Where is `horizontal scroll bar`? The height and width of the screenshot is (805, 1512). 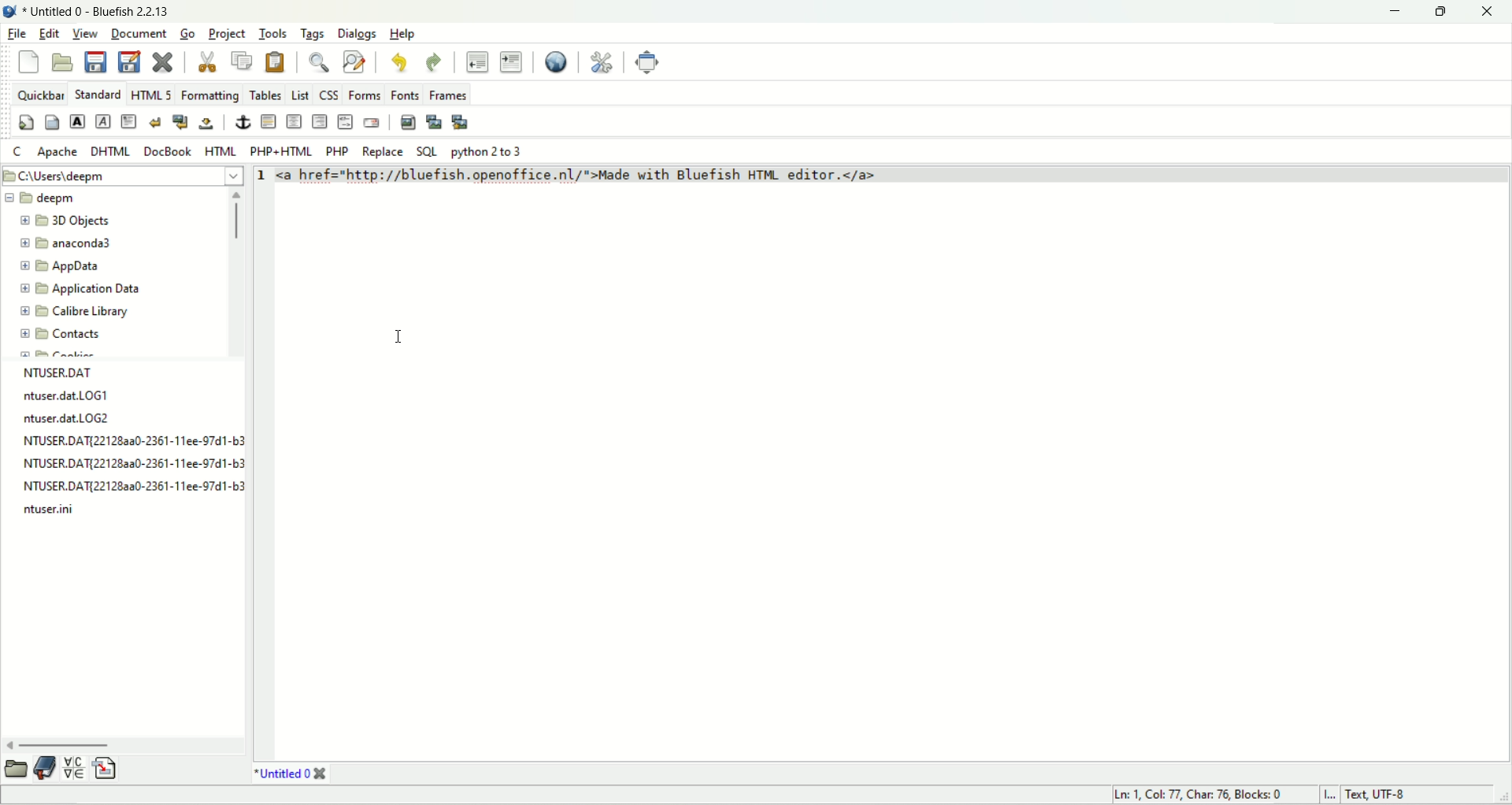
horizontal scroll bar is located at coordinates (124, 739).